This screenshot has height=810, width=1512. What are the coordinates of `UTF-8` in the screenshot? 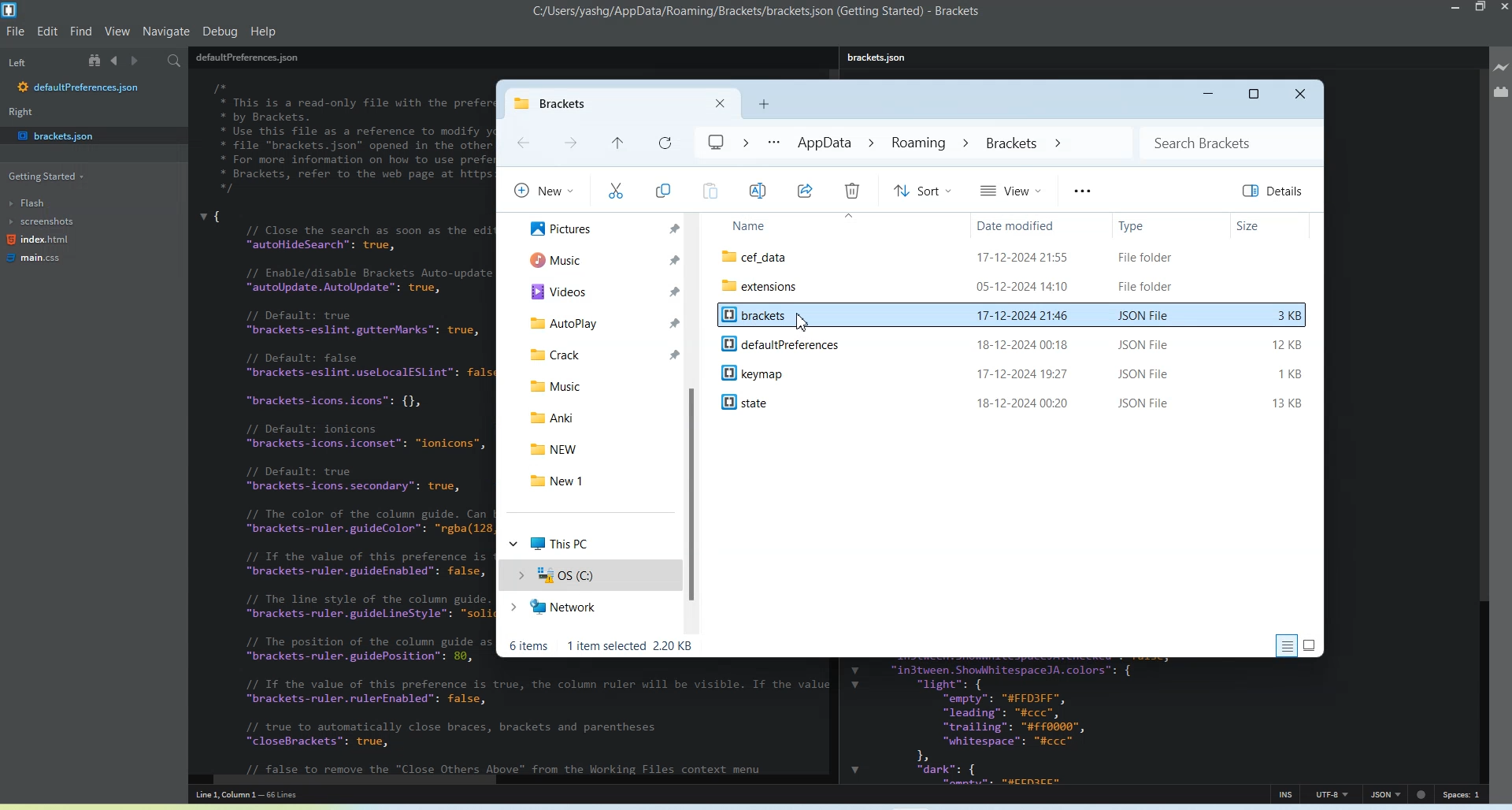 It's located at (1332, 794).